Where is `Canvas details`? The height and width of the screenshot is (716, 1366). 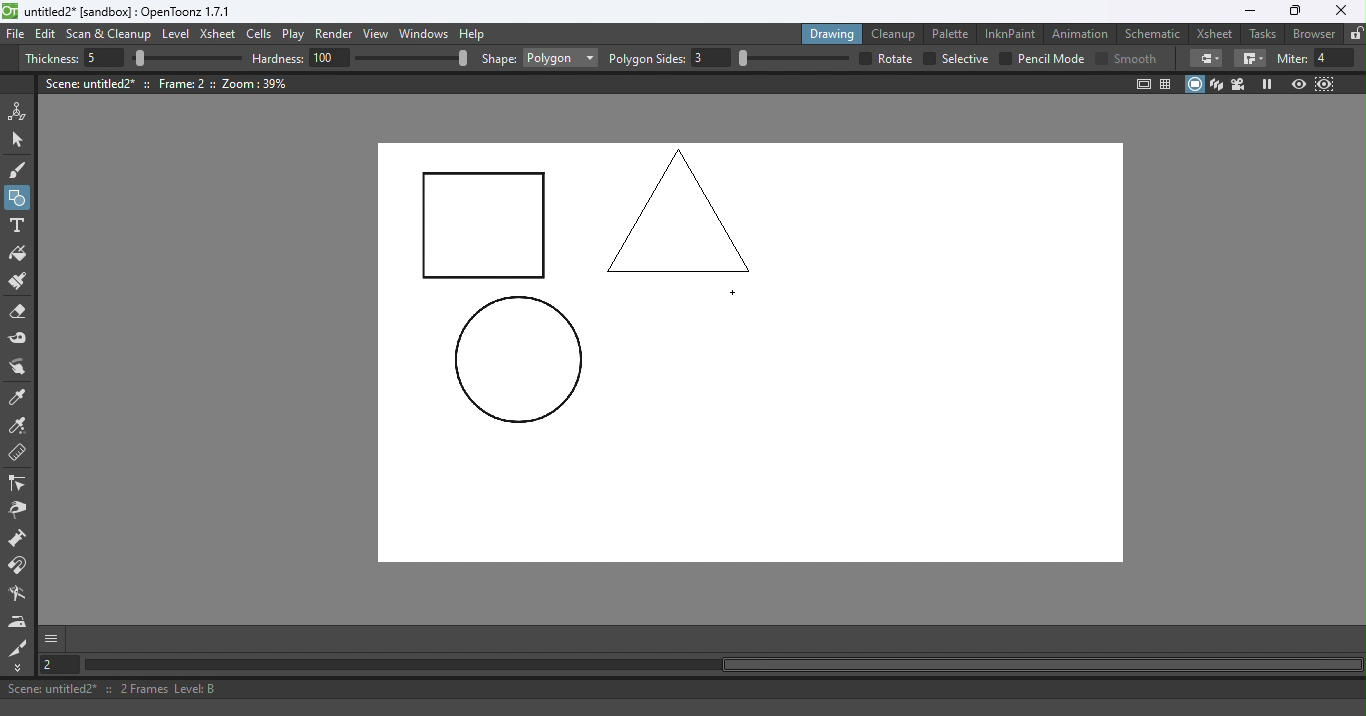
Canvas details is located at coordinates (169, 83).